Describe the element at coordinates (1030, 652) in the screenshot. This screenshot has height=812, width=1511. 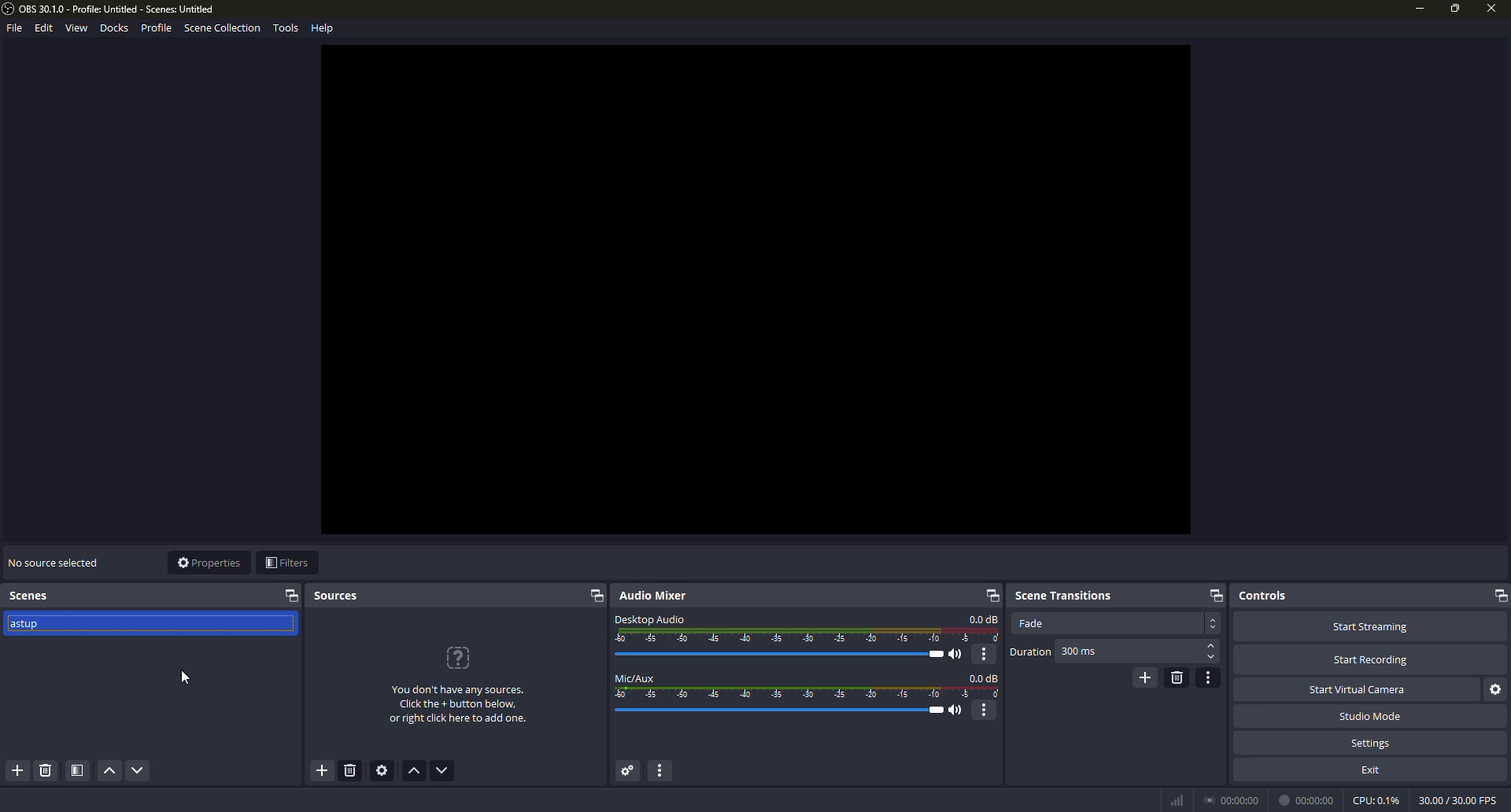
I see `duration` at that location.